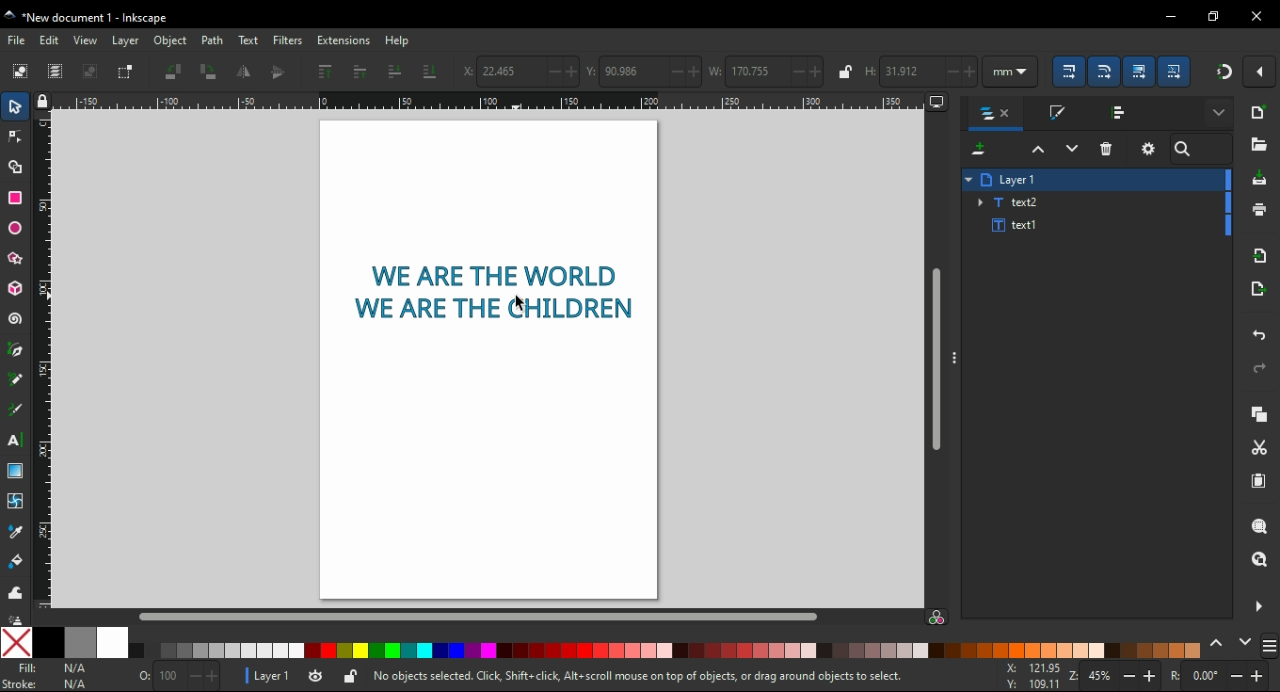 The image size is (1280, 692). What do you see at coordinates (14, 353) in the screenshot?
I see `pen tool` at bounding box center [14, 353].